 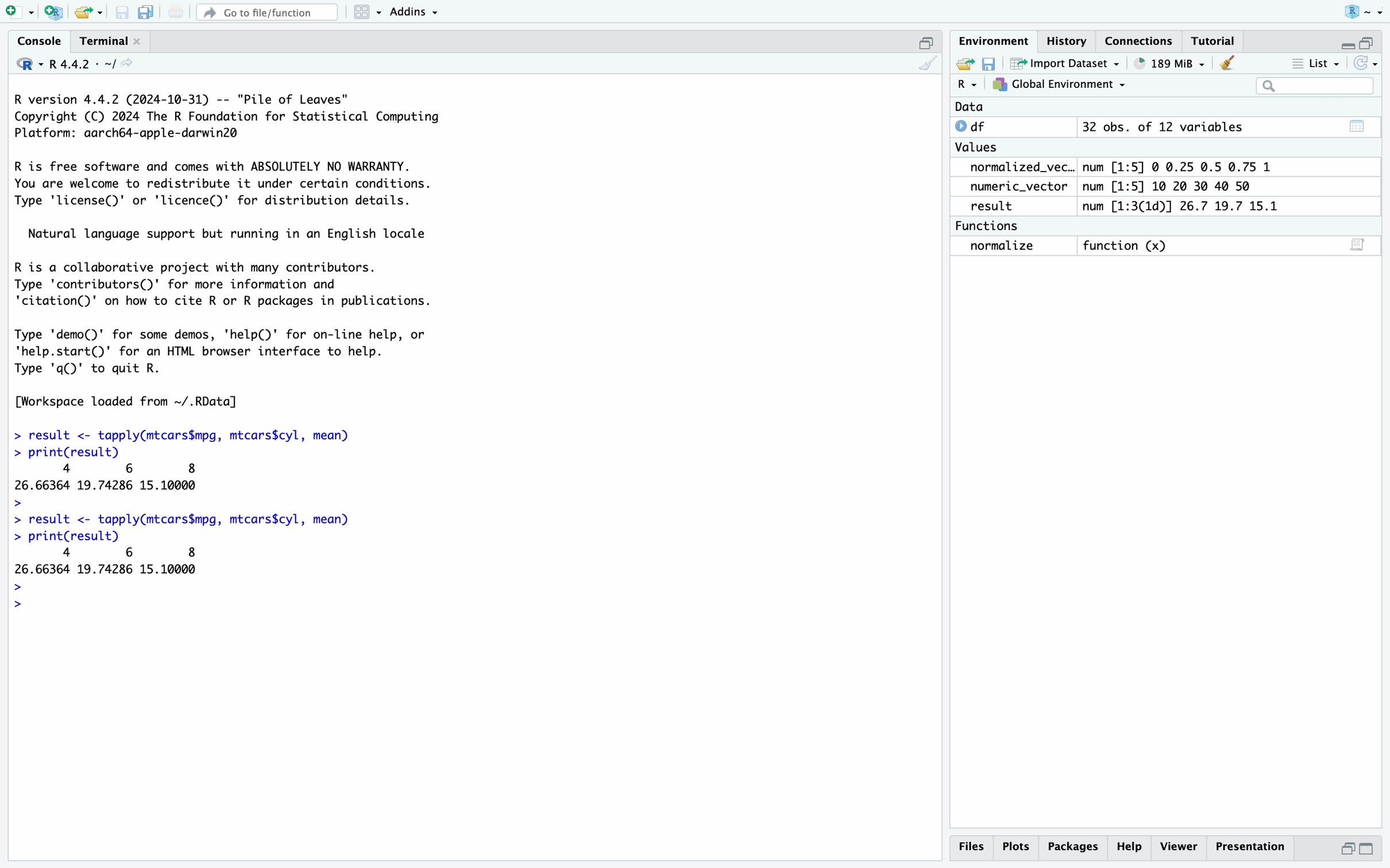 What do you see at coordinates (1074, 847) in the screenshot?
I see `Packages` at bounding box center [1074, 847].